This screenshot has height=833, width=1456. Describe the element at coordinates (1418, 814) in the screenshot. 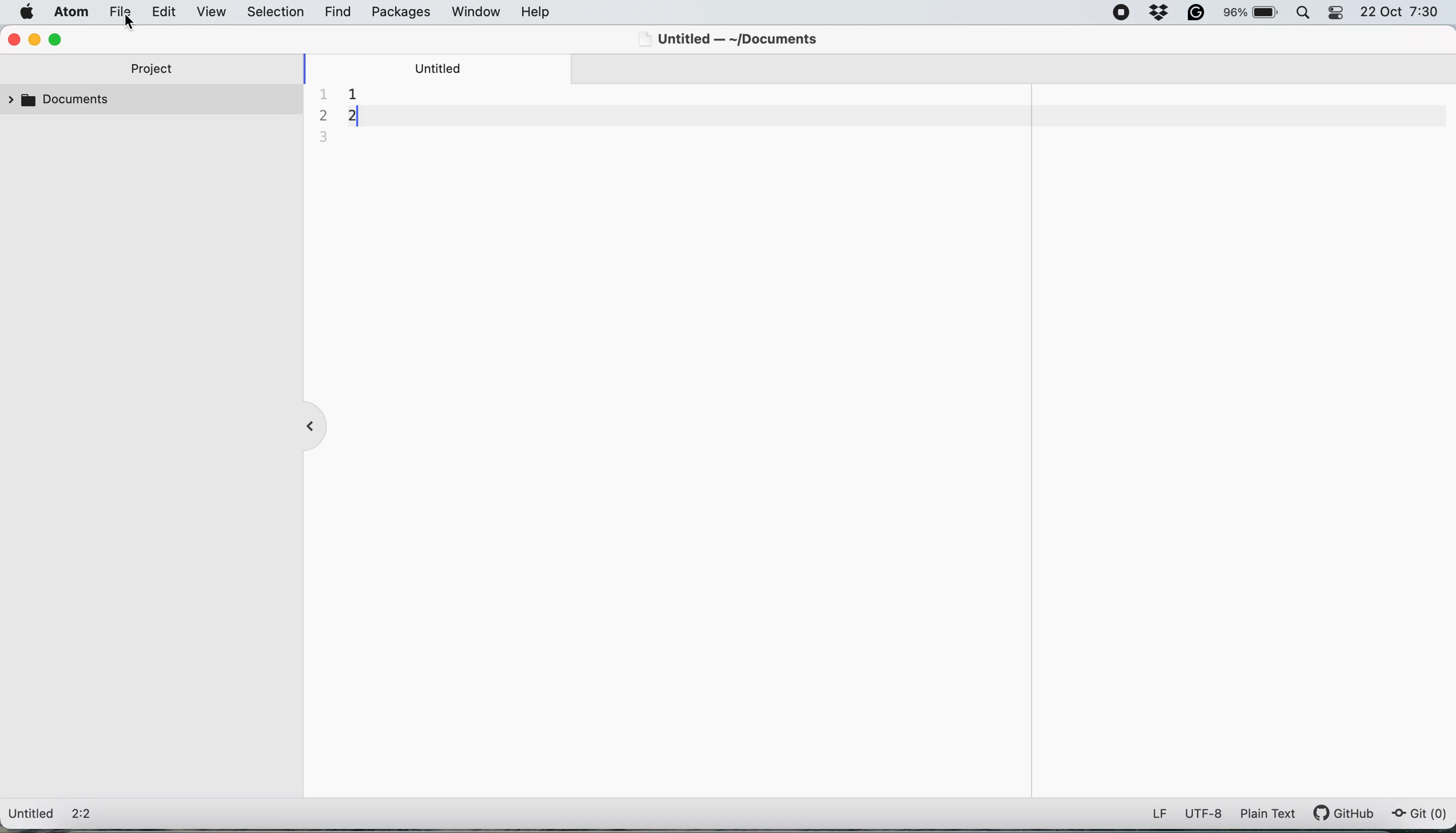

I see `git (0)` at that location.